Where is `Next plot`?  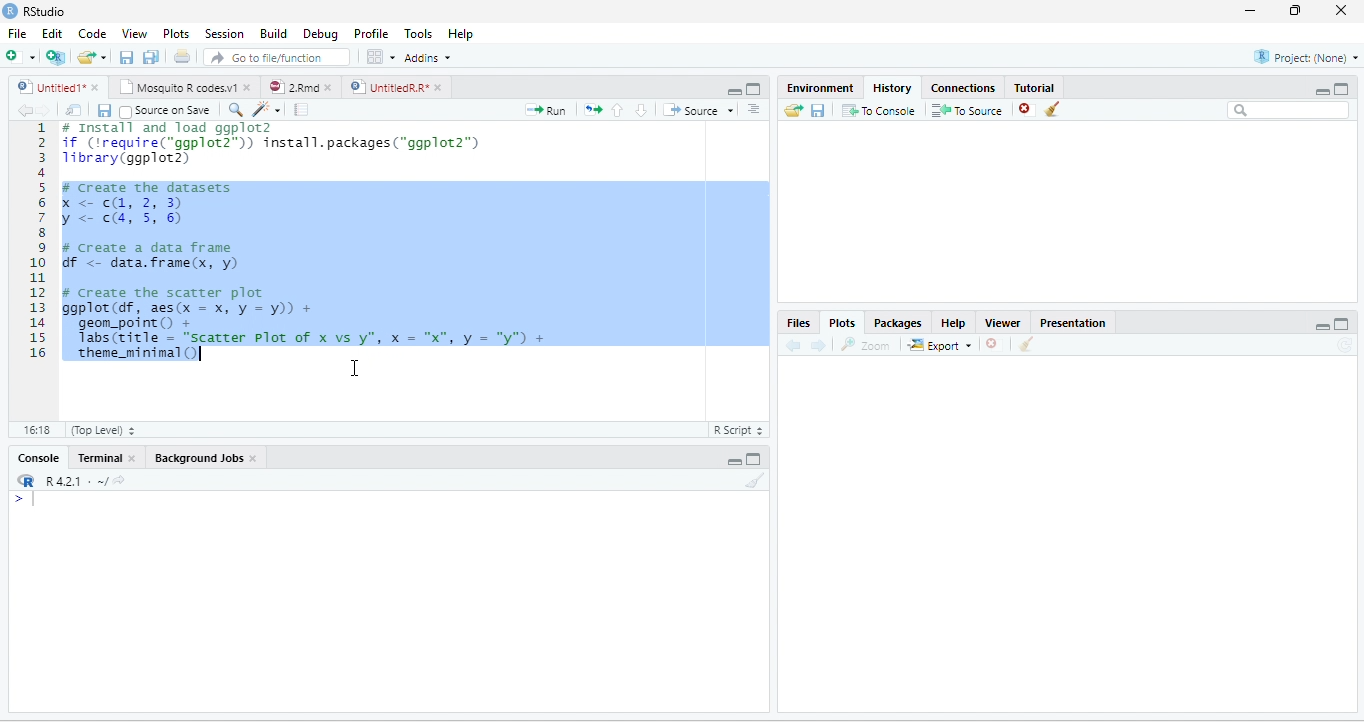 Next plot is located at coordinates (818, 345).